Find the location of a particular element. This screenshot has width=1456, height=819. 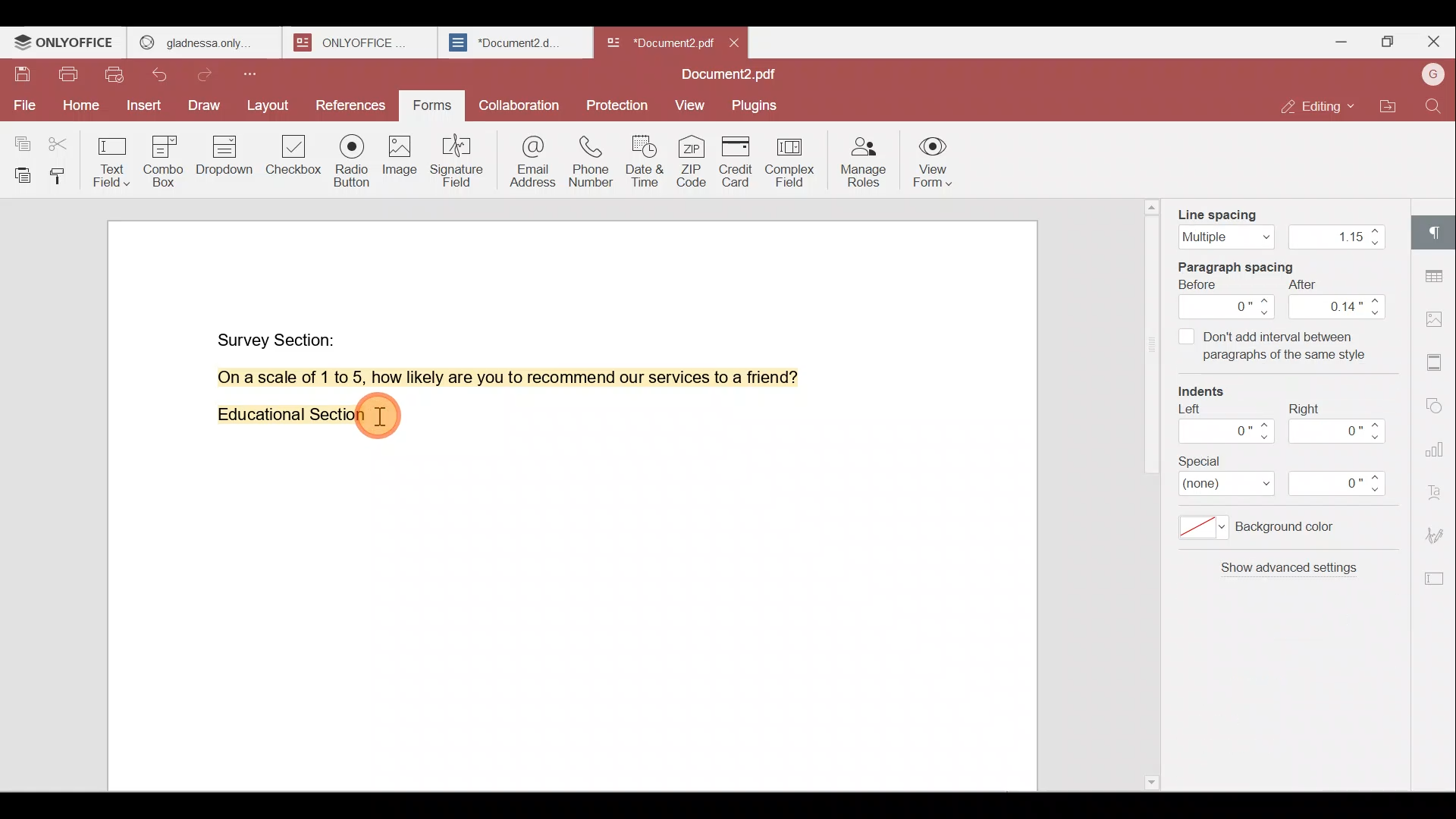

Insert is located at coordinates (144, 107).